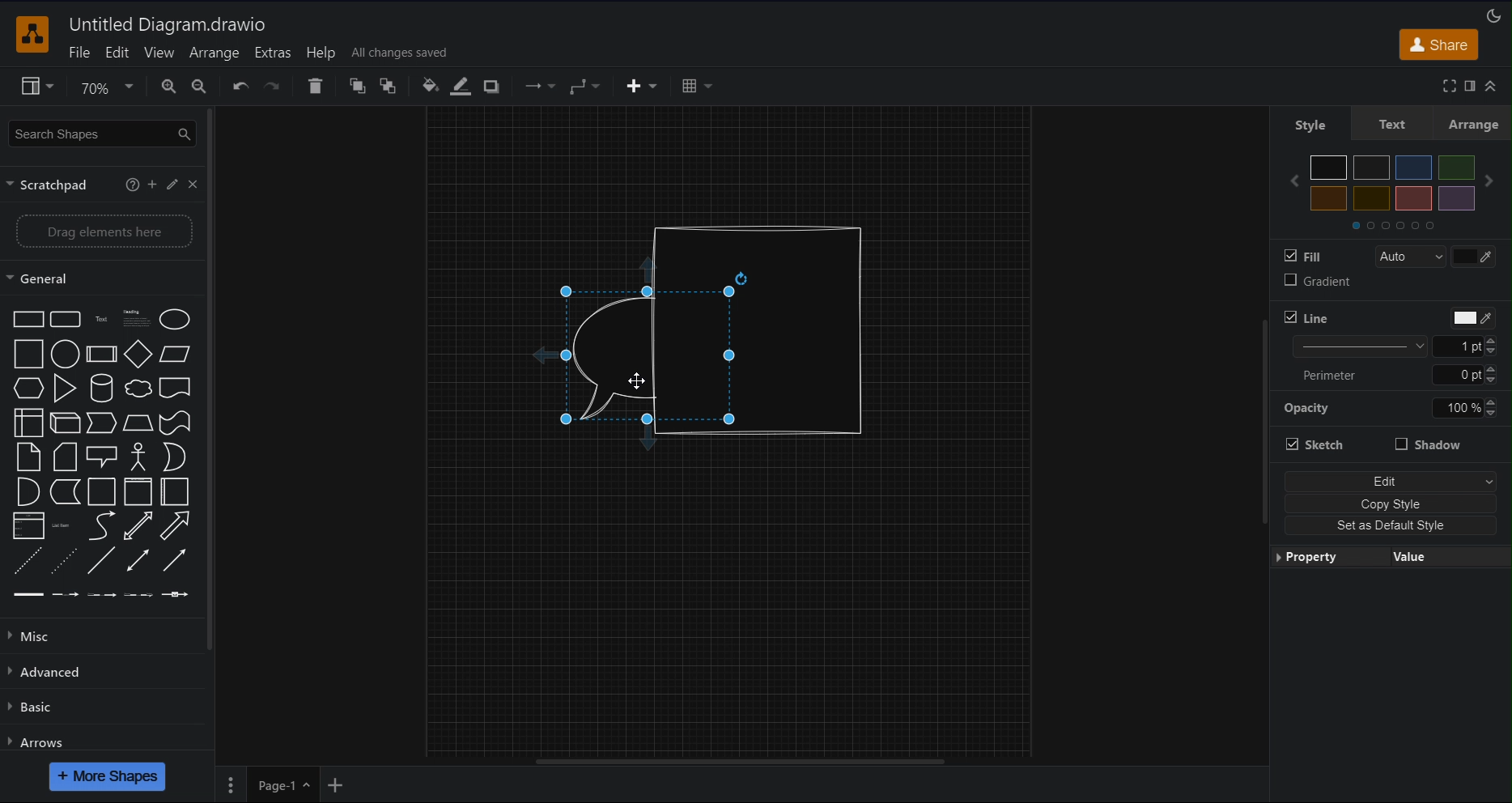  Describe the element at coordinates (1489, 181) in the screenshot. I see `Next color set` at that location.